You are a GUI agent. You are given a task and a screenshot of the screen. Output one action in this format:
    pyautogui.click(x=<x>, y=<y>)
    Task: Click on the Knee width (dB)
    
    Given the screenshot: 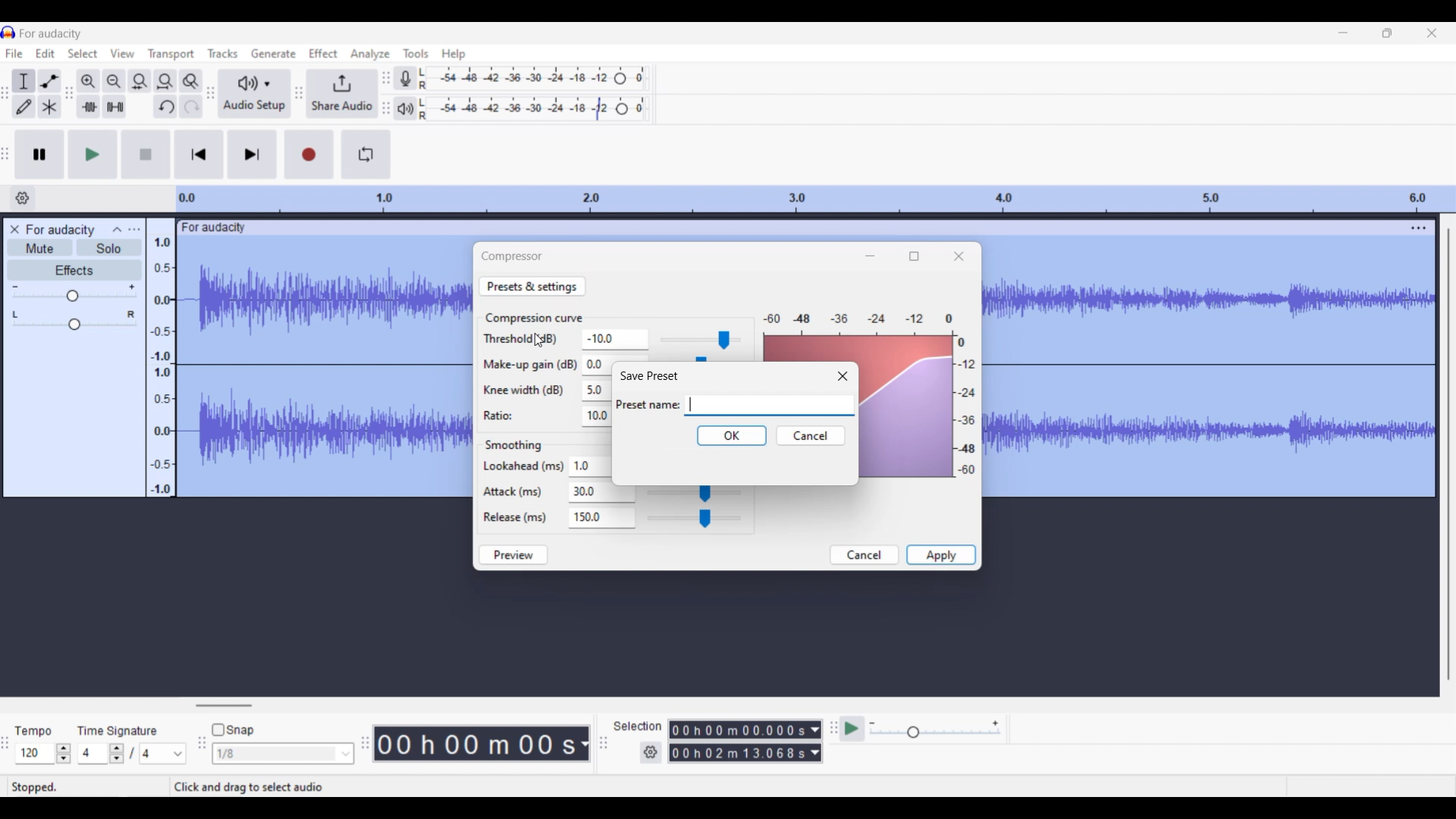 What is the action you would take?
    pyautogui.click(x=523, y=390)
    